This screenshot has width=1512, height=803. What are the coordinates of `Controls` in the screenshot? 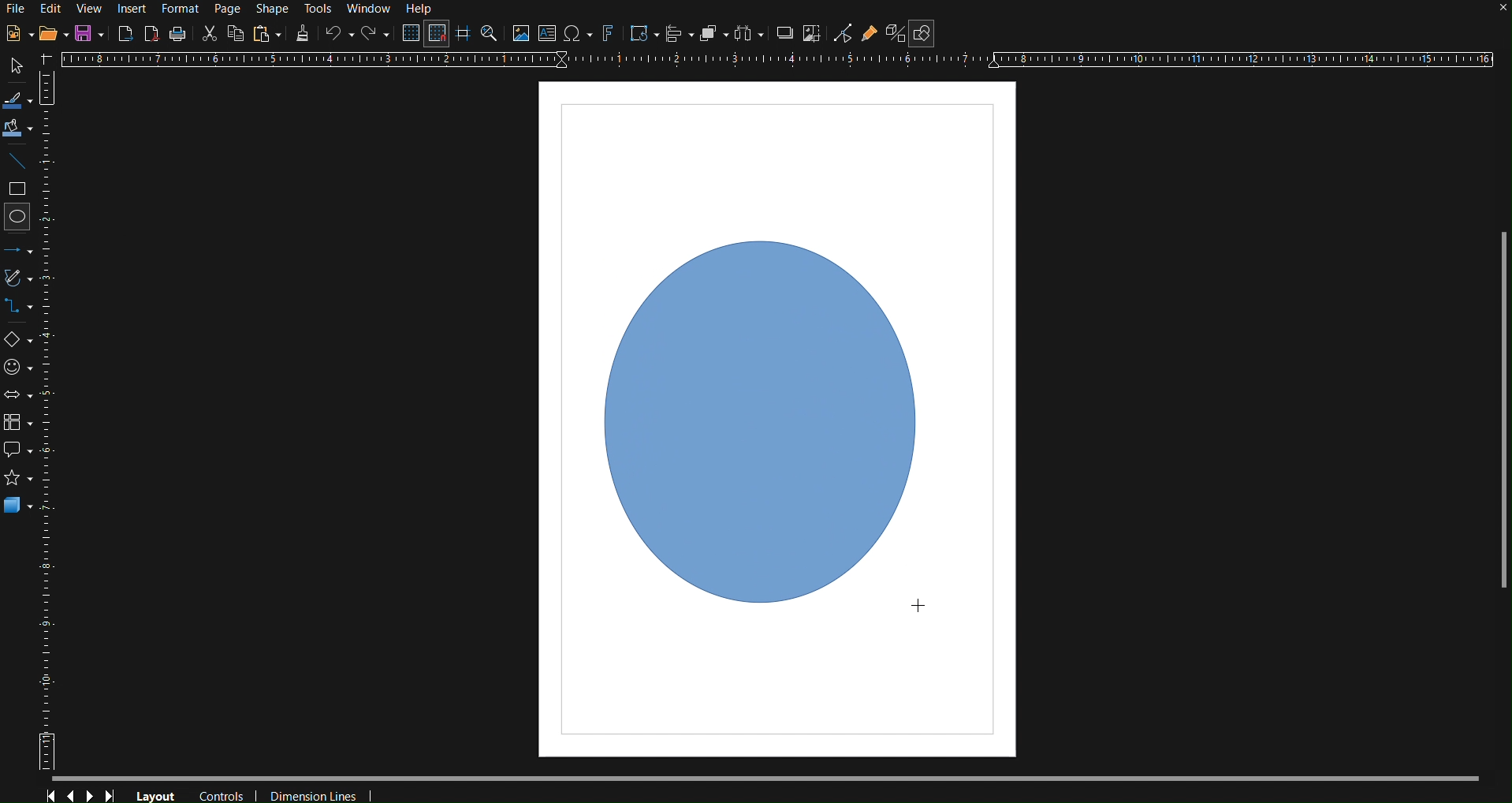 It's located at (82, 792).